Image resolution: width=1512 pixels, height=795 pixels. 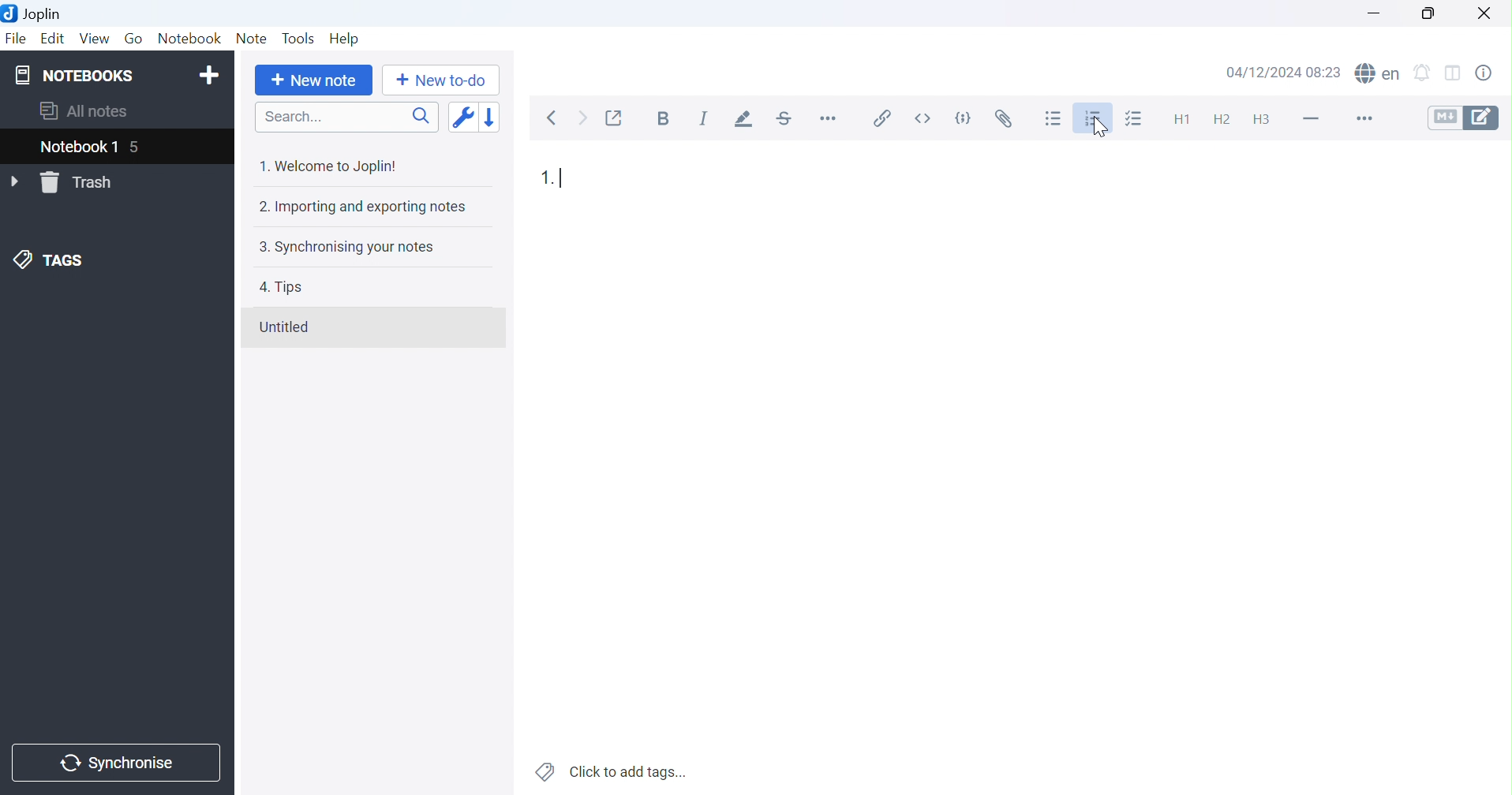 What do you see at coordinates (1463, 117) in the screenshot?
I see `Toggle editors` at bounding box center [1463, 117].